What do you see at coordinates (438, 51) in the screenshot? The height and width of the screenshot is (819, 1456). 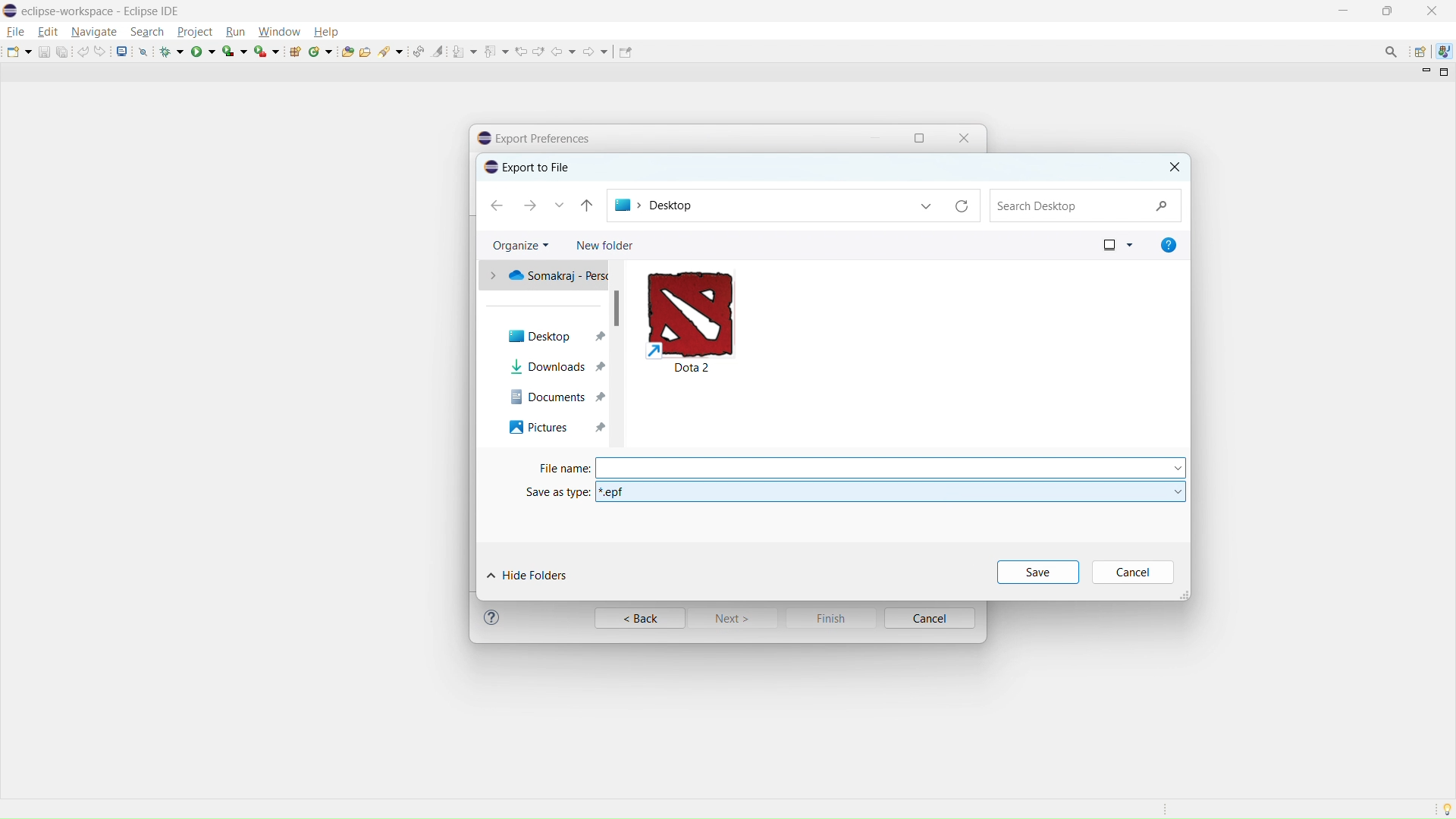 I see `toggle ant mark occurances` at bounding box center [438, 51].